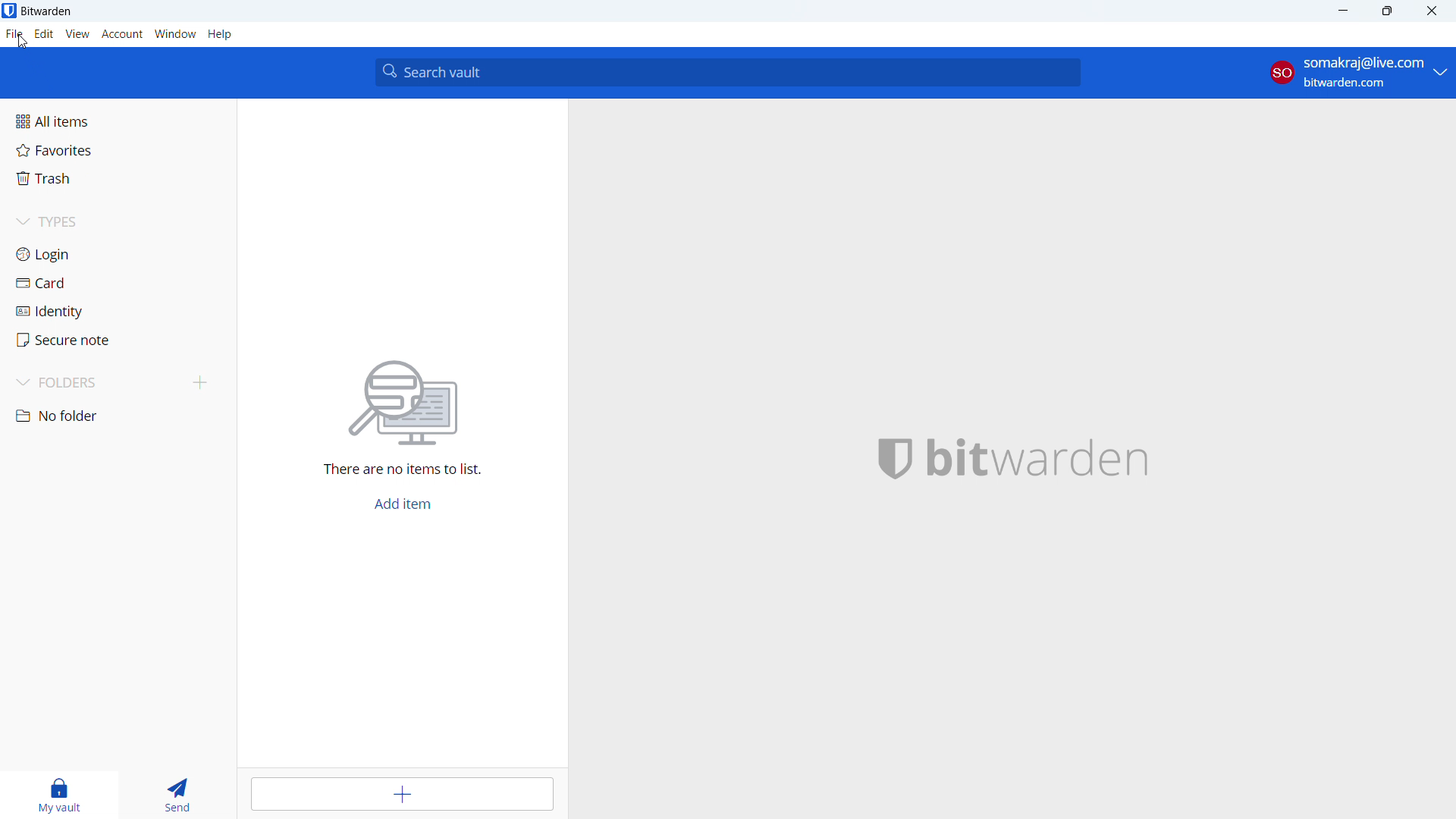 The height and width of the screenshot is (819, 1456). Describe the element at coordinates (114, 340) in the screenshot. I see `secure note` at that location.